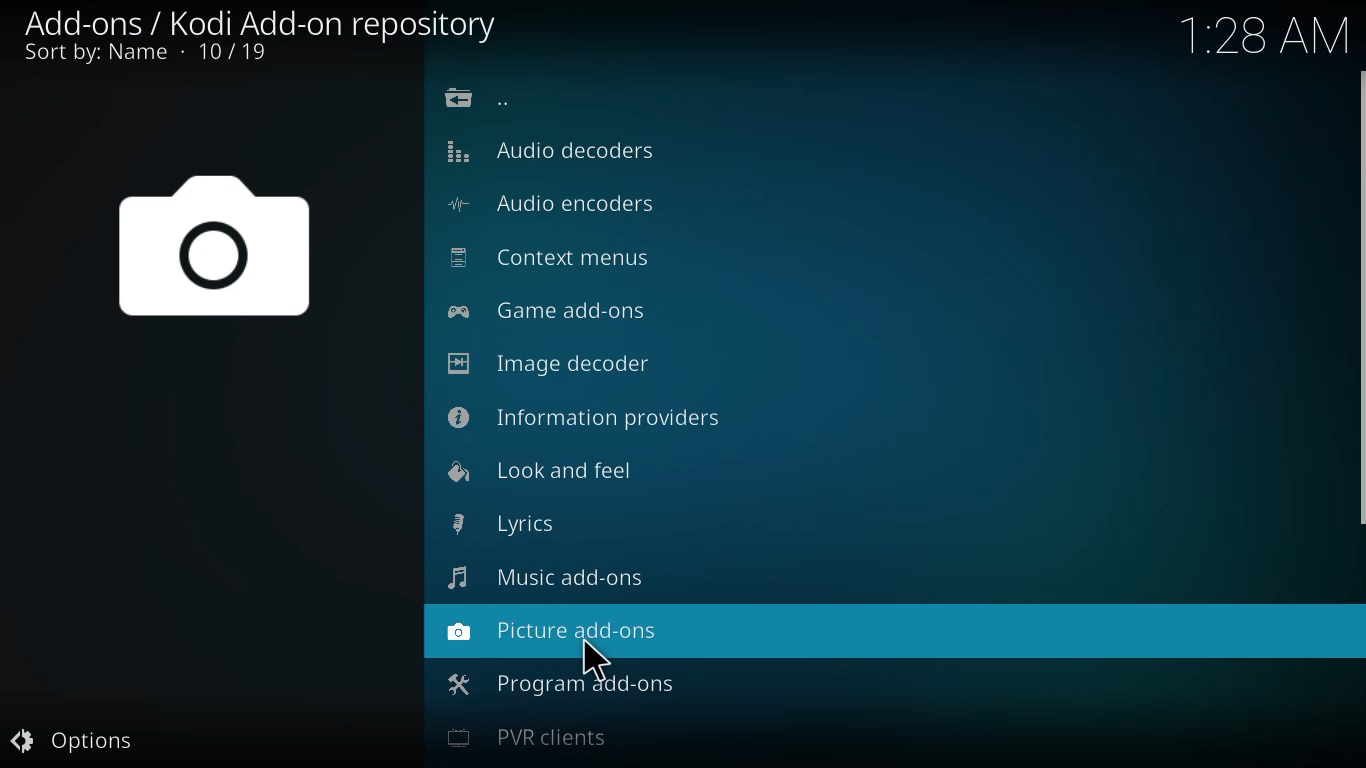 The width and height of the screenshot is (1366, 768). I want to click on options, so click(77, 738).